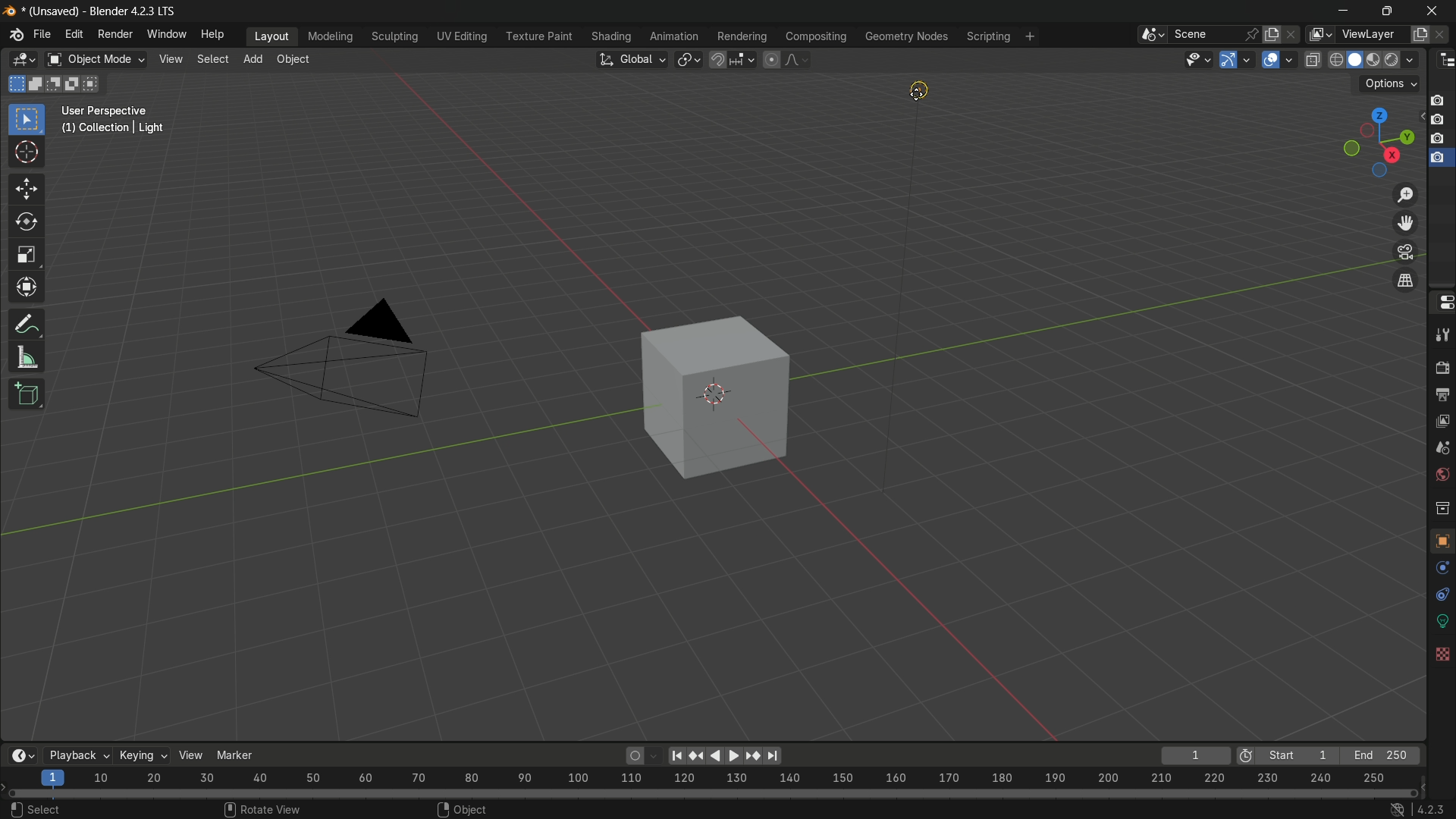  Describe the element at coordinates (698, 755) in the screenshot. I see `jump to keyframe` at that location.